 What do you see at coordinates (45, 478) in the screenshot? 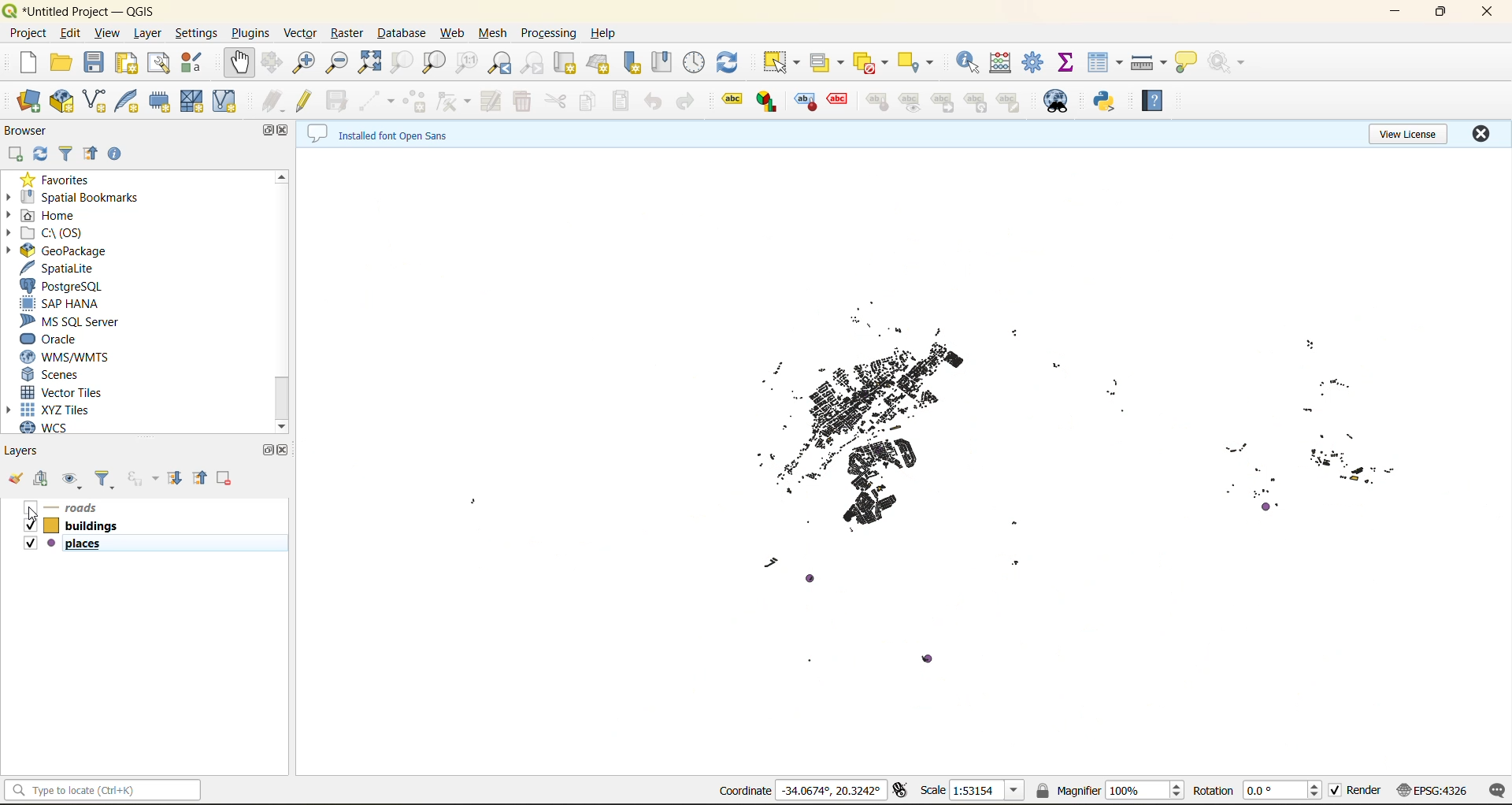
I see `add` at bounding box center [45, 478].